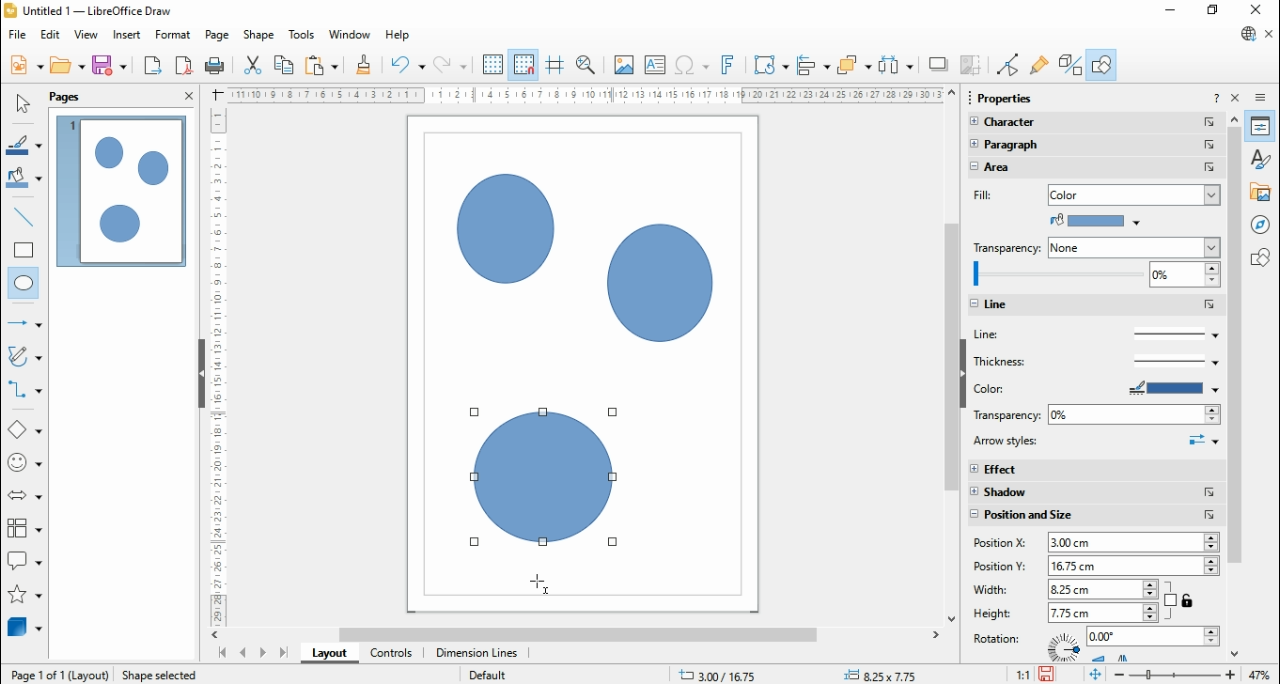 This screenshot has height=684, width=1280. I want to click on stars and banners , so click(23, 596).